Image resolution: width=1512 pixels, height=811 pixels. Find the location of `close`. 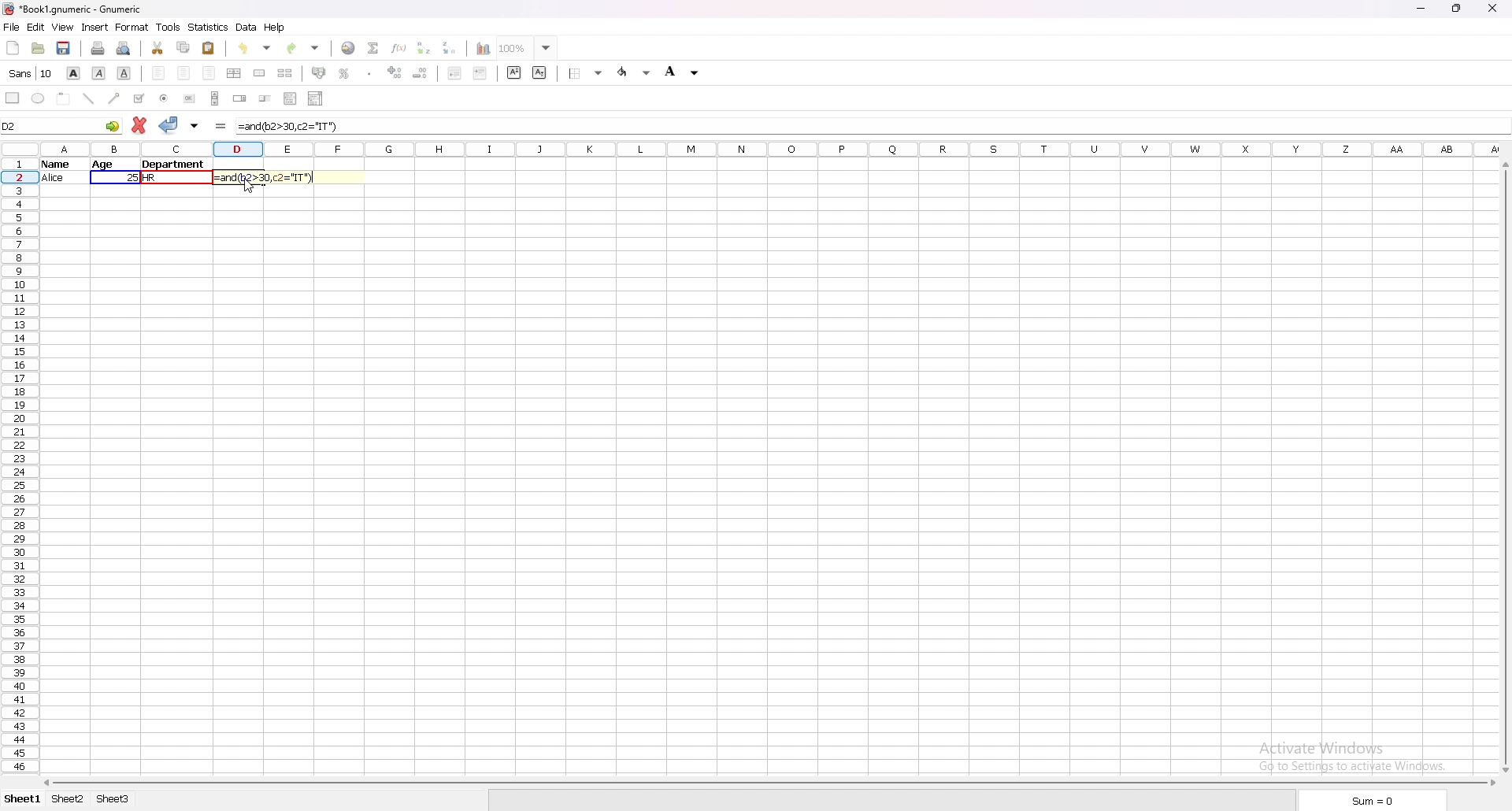

close is located at coordinates (1492, 9).